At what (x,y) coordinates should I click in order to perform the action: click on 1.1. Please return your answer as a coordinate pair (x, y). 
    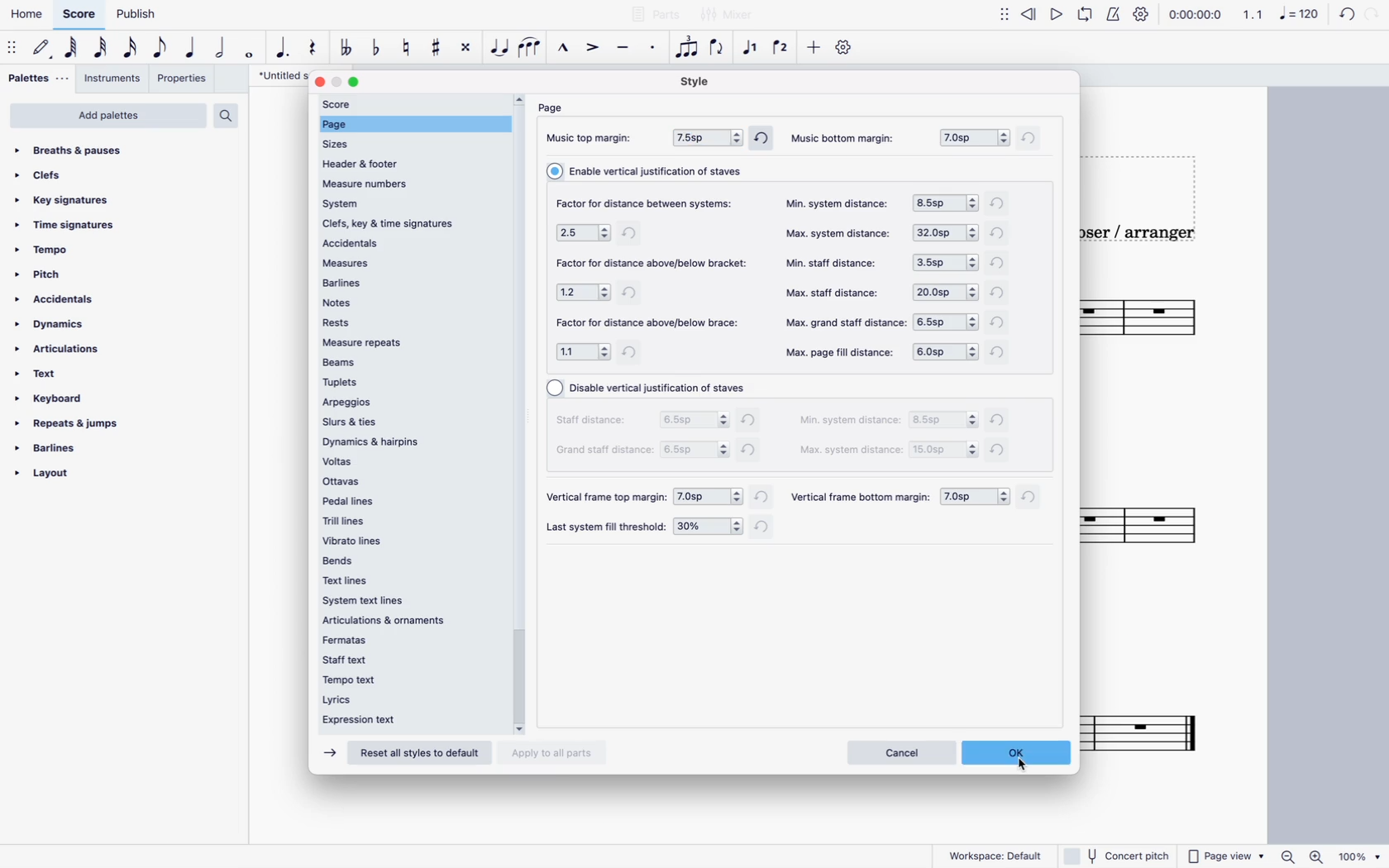
    Looking at the image, I should click on (1253, 15).